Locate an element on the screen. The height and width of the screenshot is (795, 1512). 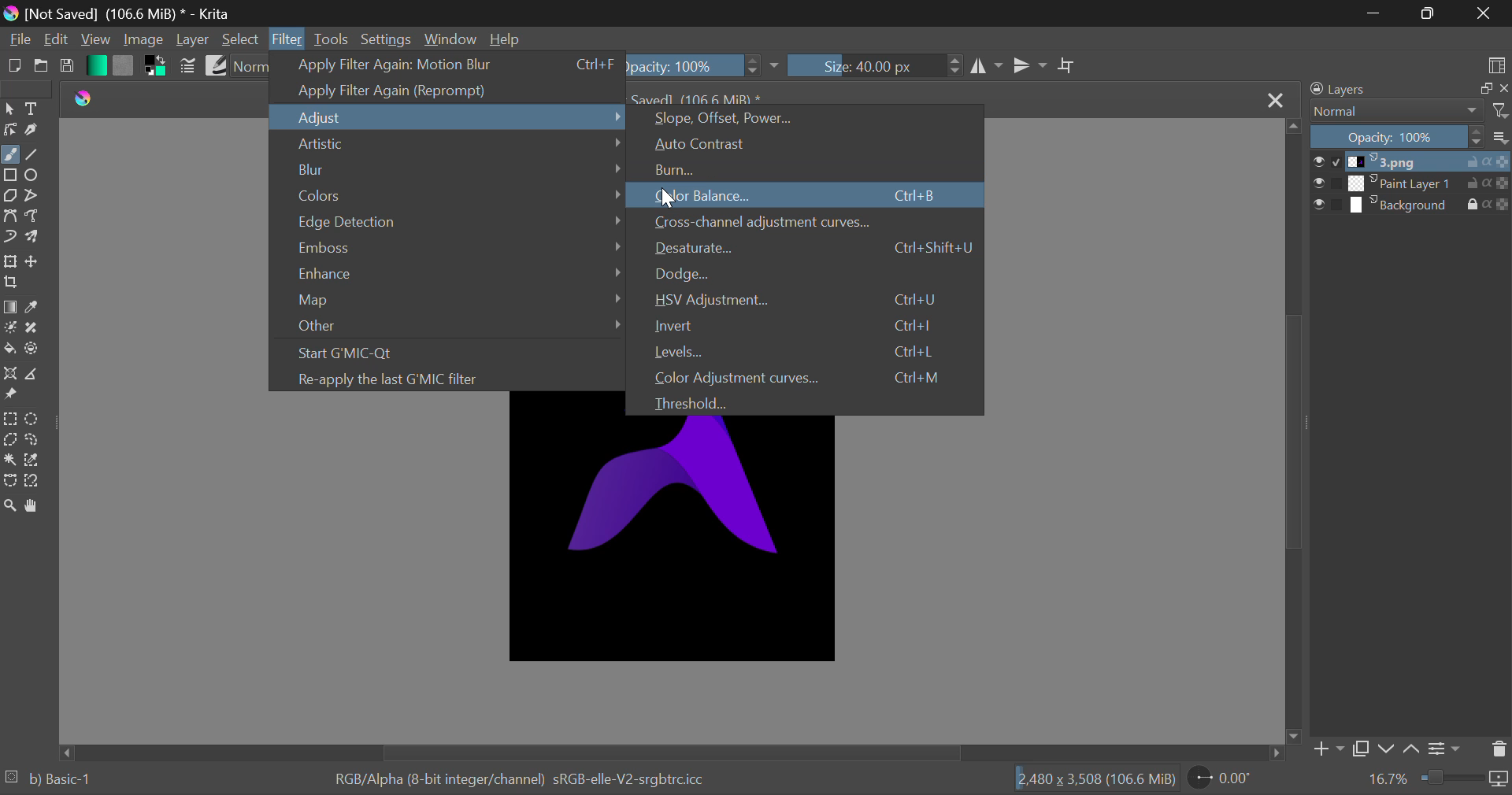
Freehand Tool is located at coordinates (9, 154).